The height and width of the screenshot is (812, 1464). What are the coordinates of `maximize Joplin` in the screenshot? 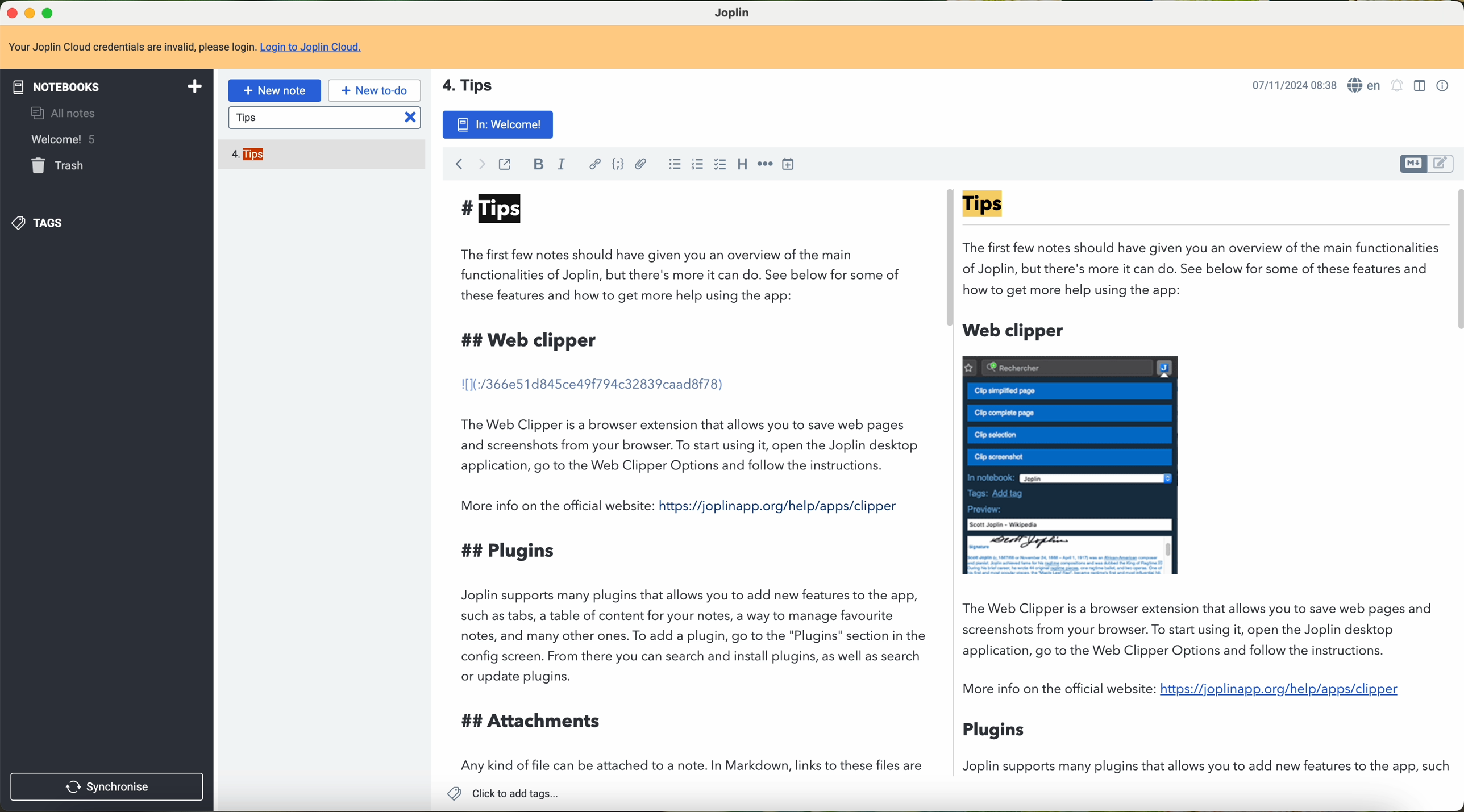 It's located at (50, 13).